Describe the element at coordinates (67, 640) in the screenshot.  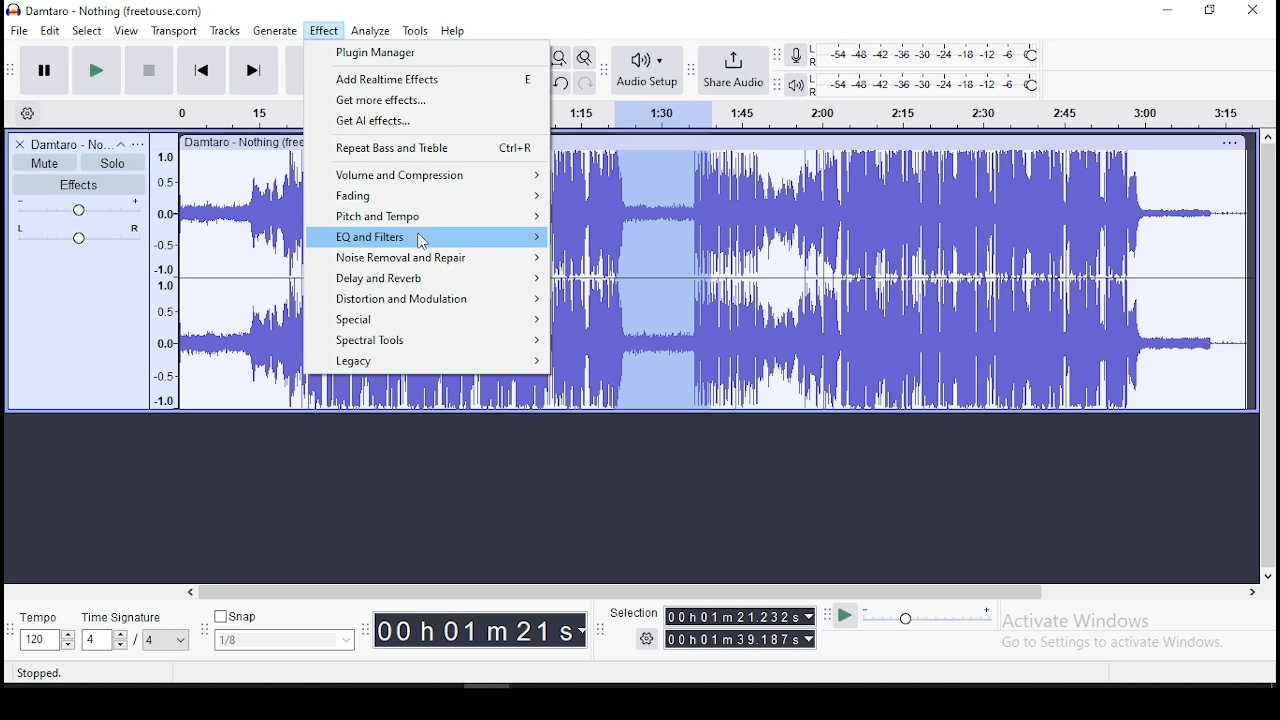
I see `drop down` at that location.